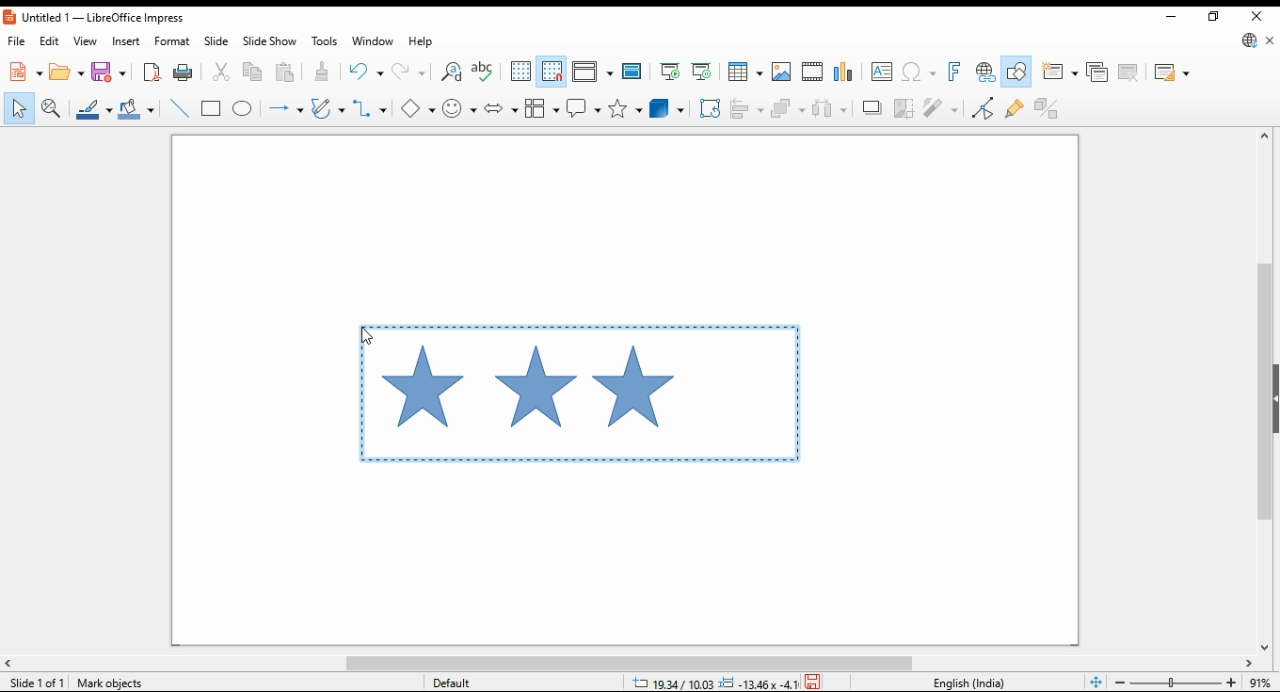 This screenshot has height=692, width=1280. What do you see at coordinates (112, 681) in the screenshot?
I see `Mark Objects` at bounding box center [112, 681].